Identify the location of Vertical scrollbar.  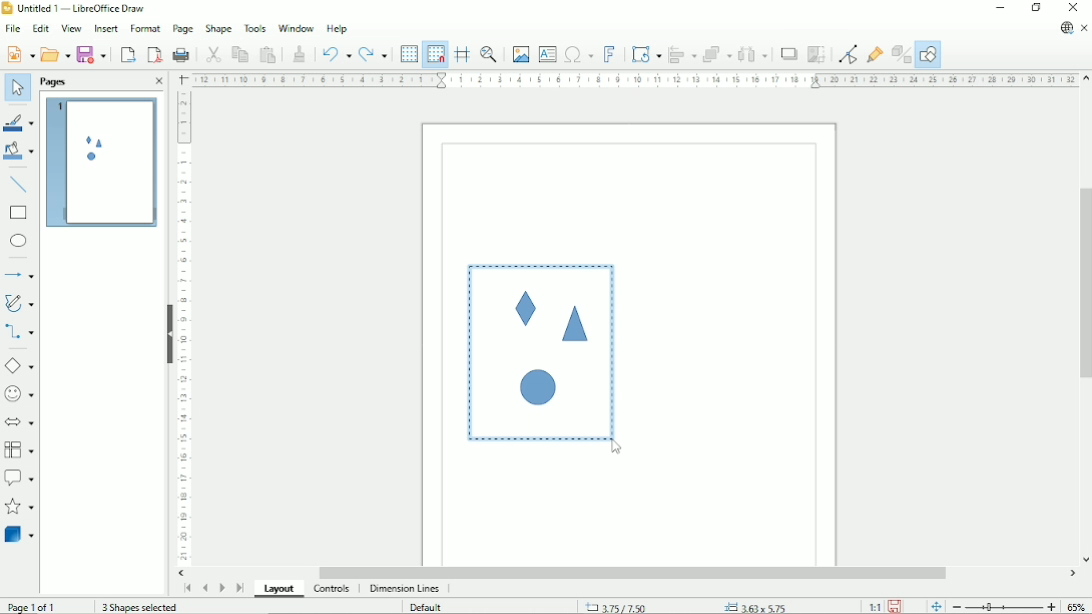
(1083, 282).